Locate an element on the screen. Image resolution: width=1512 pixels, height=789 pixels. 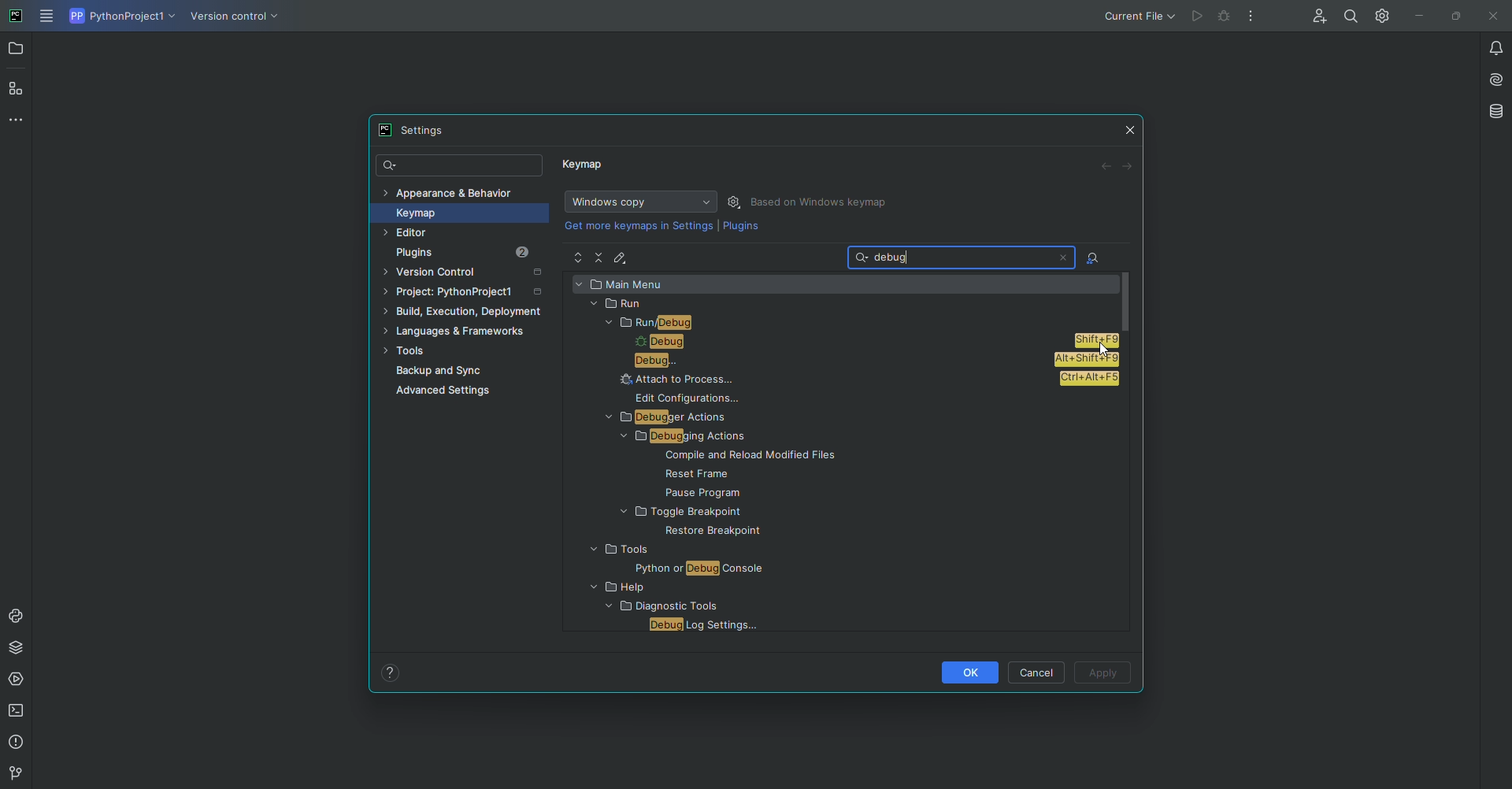
Find is located at coordinates (1351, 16).